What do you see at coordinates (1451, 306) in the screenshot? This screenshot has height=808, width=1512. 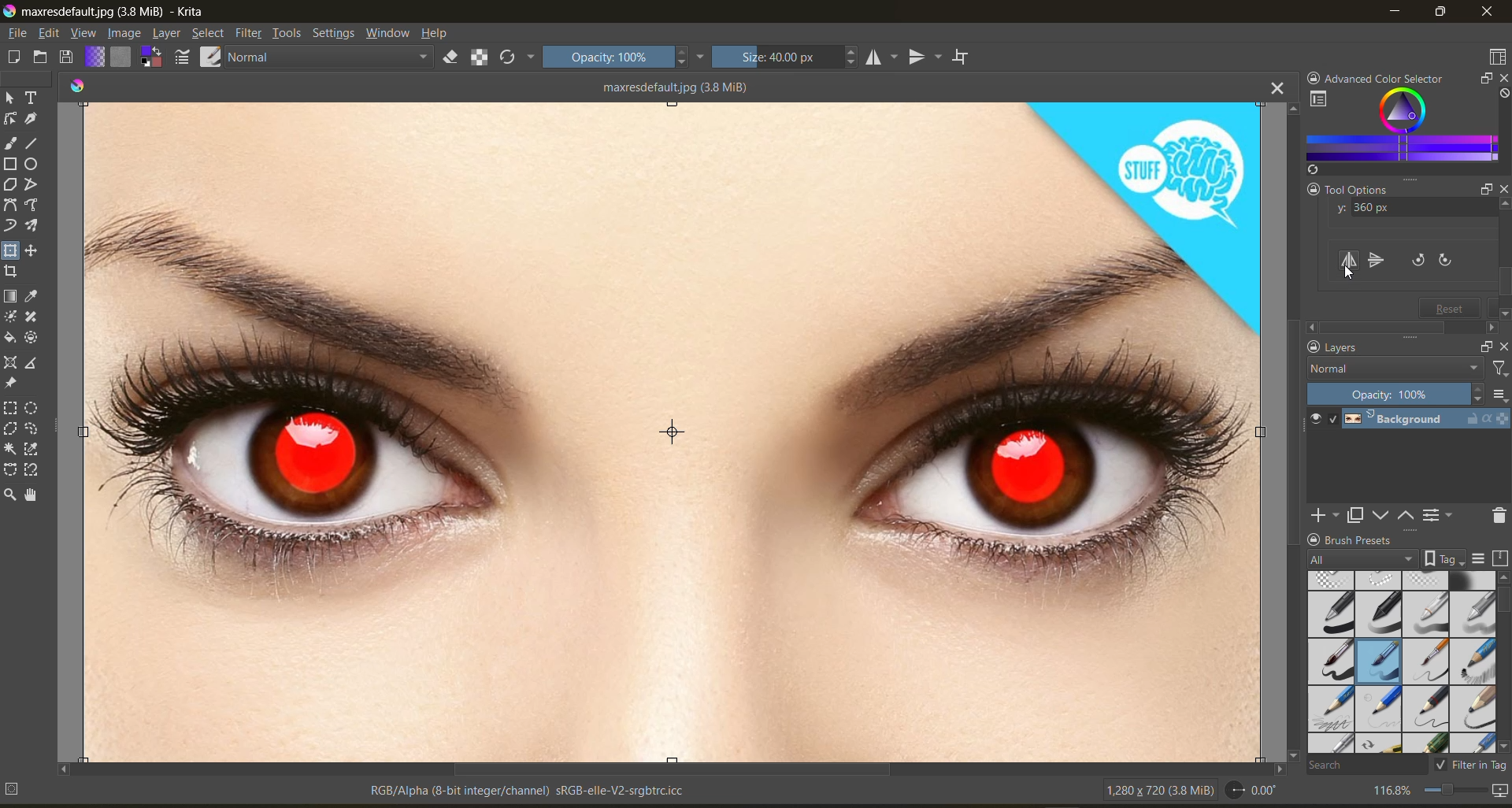 I see `reset` at bounding box center [1451, 306].